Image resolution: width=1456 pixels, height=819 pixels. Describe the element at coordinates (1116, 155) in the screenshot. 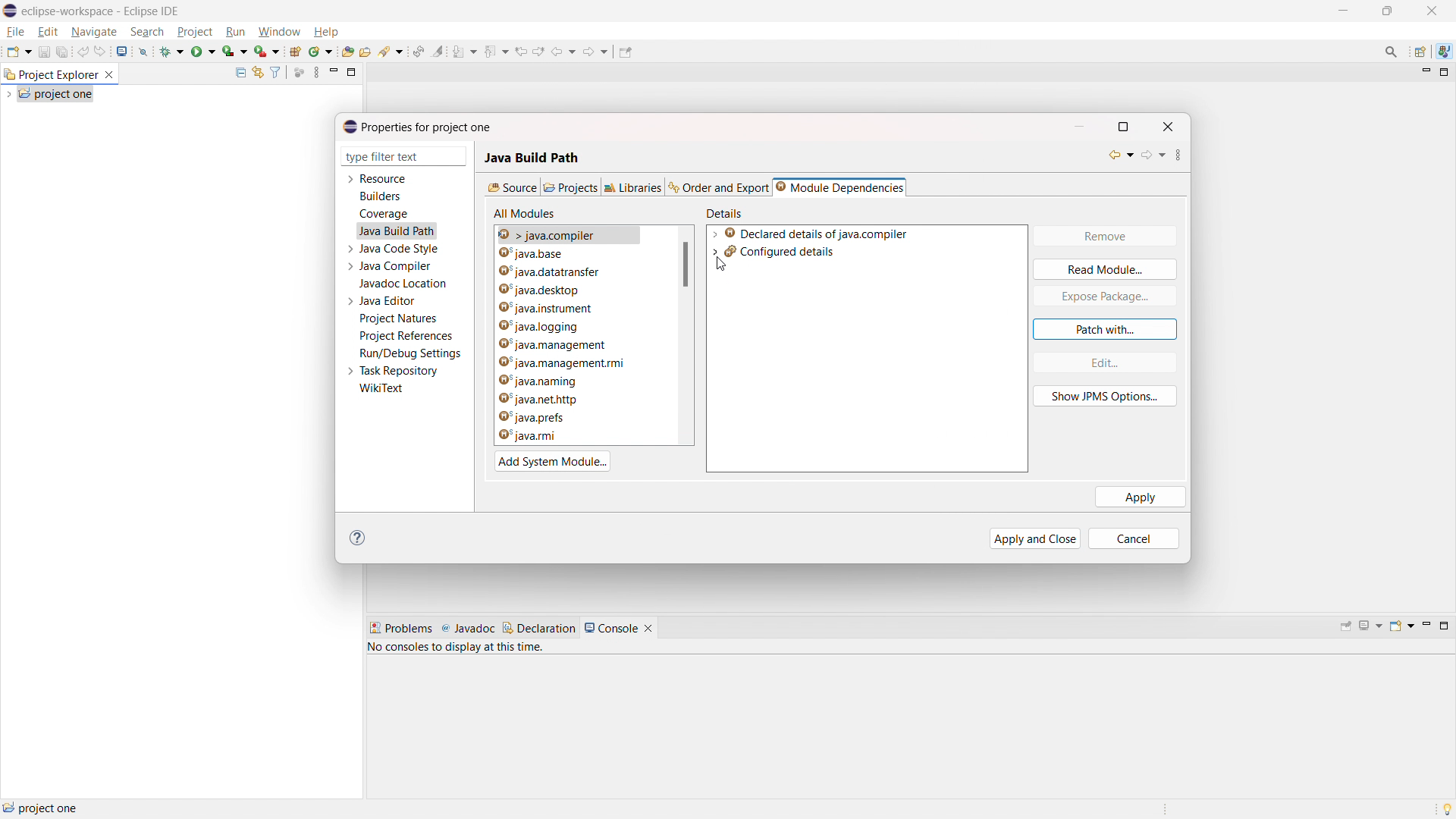

I see `back` at that location.